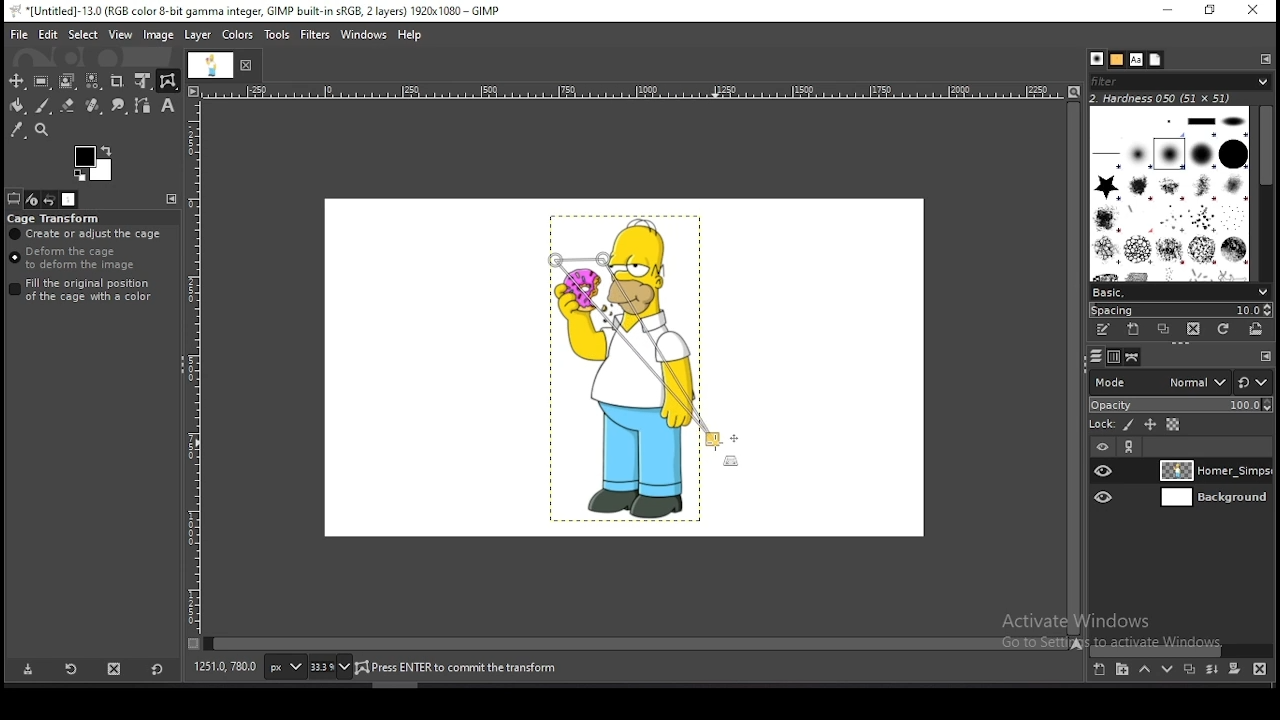  Describe the element at coordinates (117, 105) in the screenshot. I see `smudge tool` at that location.